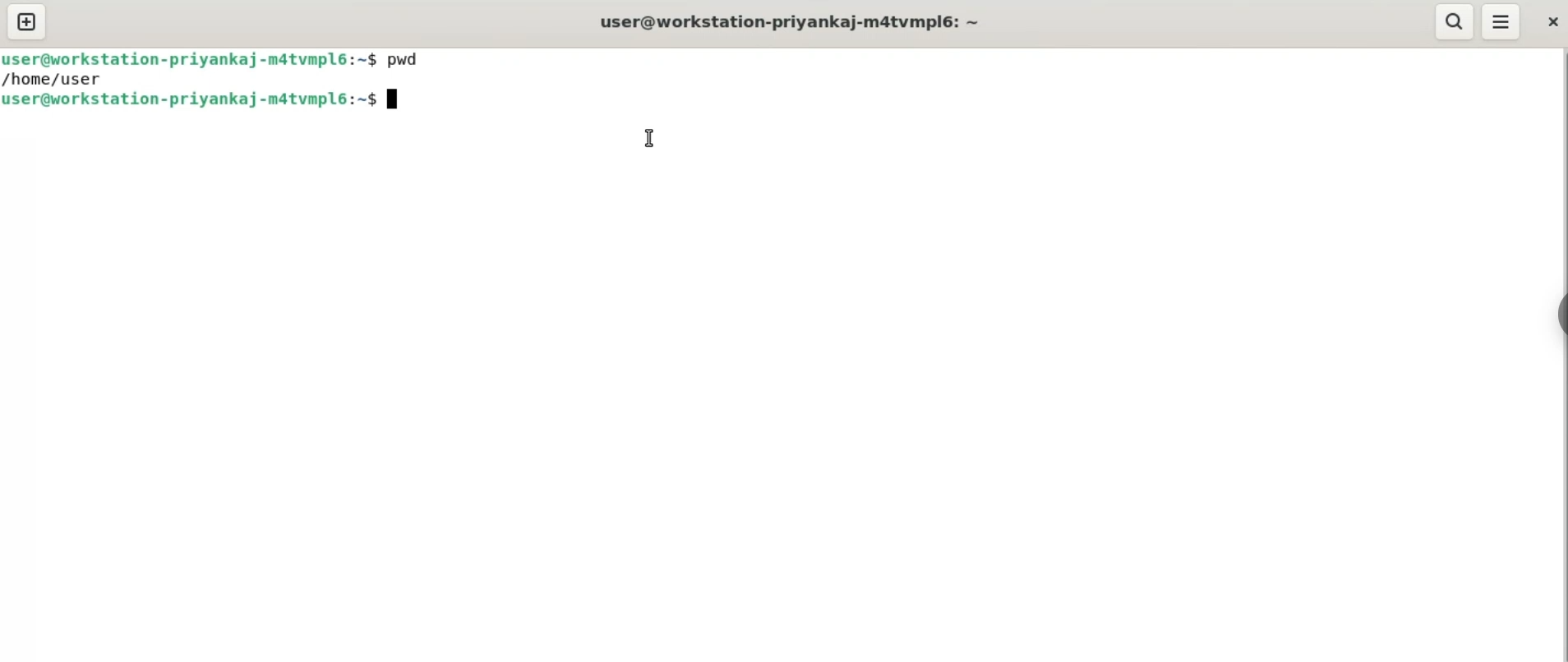 Image resolution: width=1568 pixels, height=662 pixels. What do you see at coordinates (219, 58) in the screenshot?
I see `user@workstation-privankaj-matvmpl6:~$ pwd` at bounding box center [219, 58].